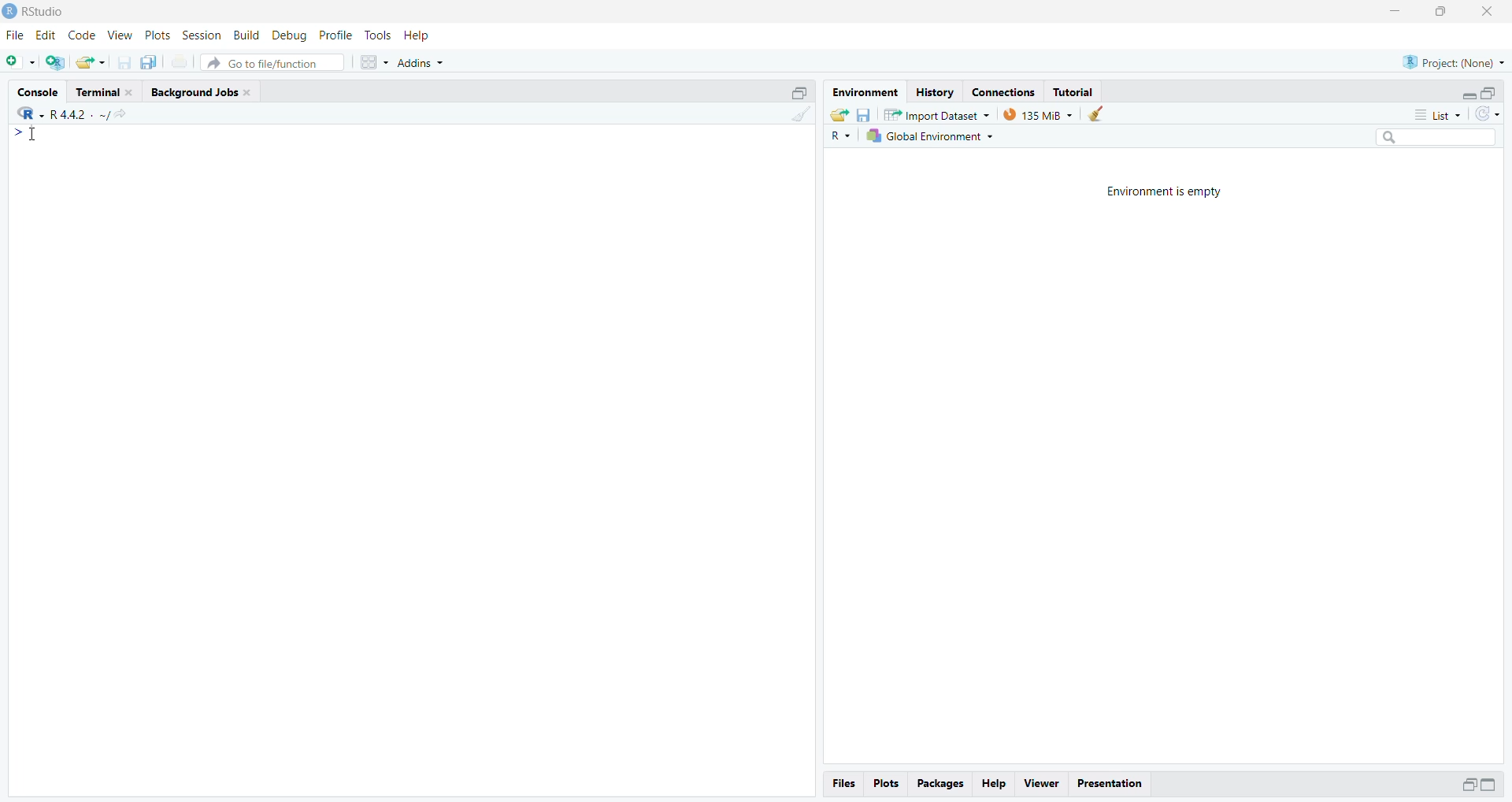 This screenshot has width=1512, height=802. Describe the element at coordinates (842, 136) in the screenshot. I see `R` at that location.